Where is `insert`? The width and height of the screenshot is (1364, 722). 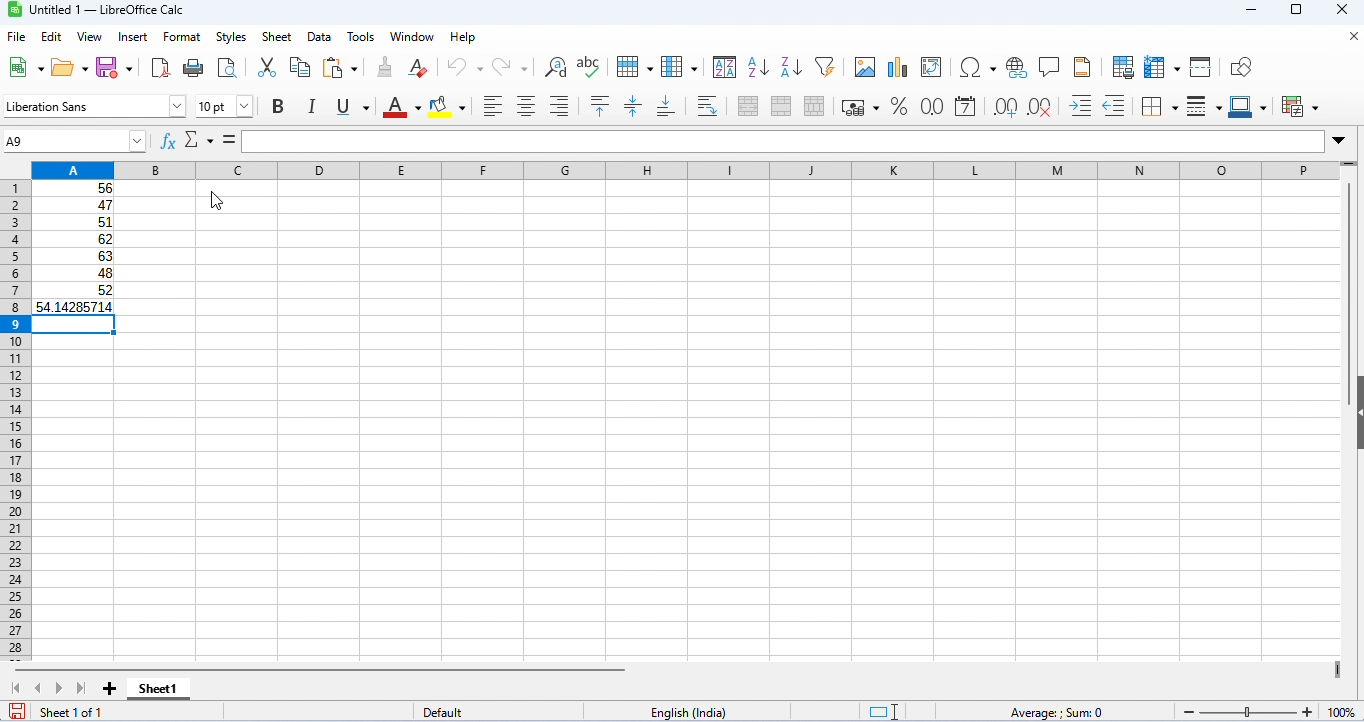 insert is located at coordinates (136, 36).